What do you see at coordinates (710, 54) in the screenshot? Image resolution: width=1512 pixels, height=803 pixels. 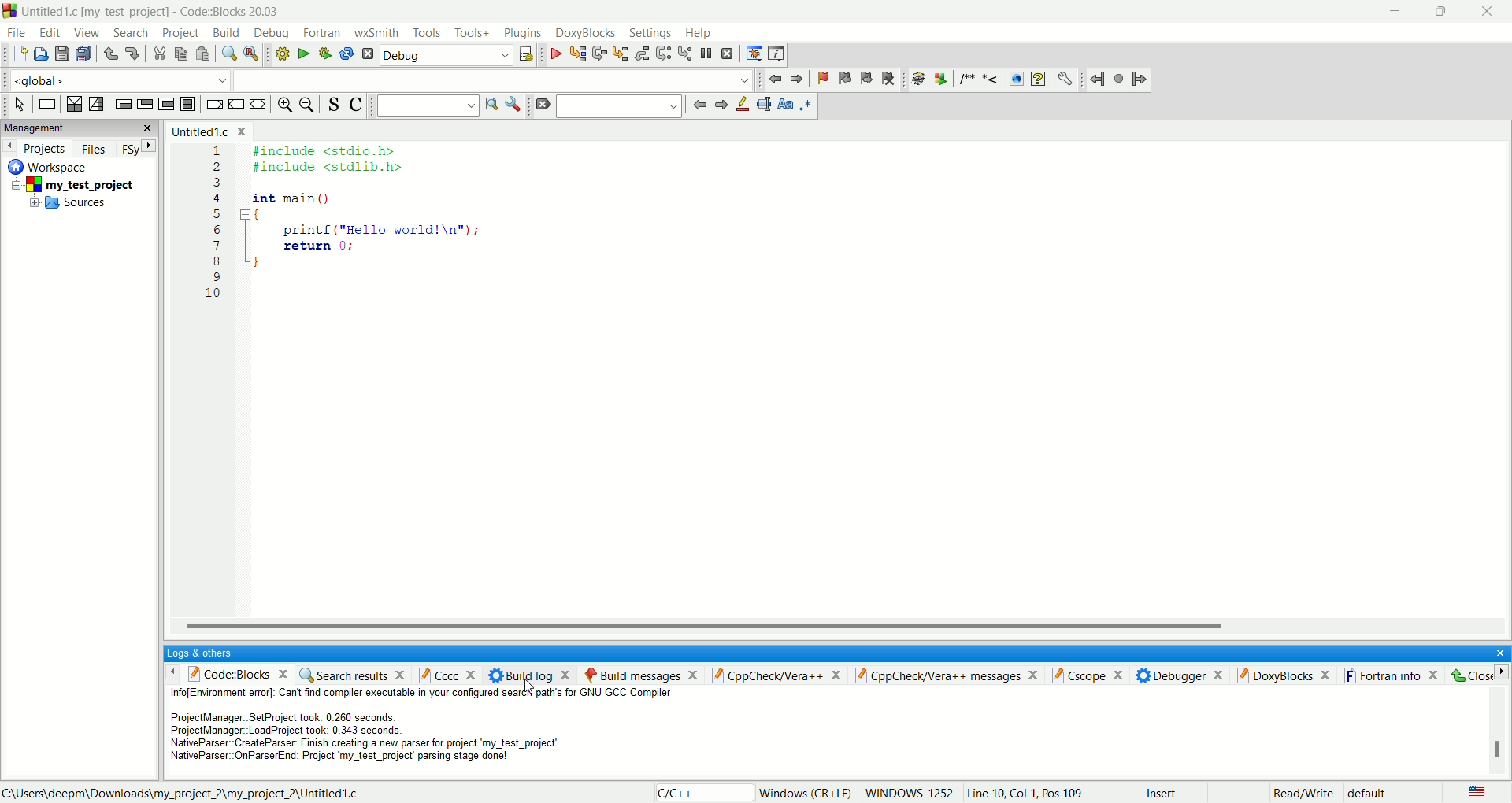 I see `break debugger` at bounding box center [710, 54].